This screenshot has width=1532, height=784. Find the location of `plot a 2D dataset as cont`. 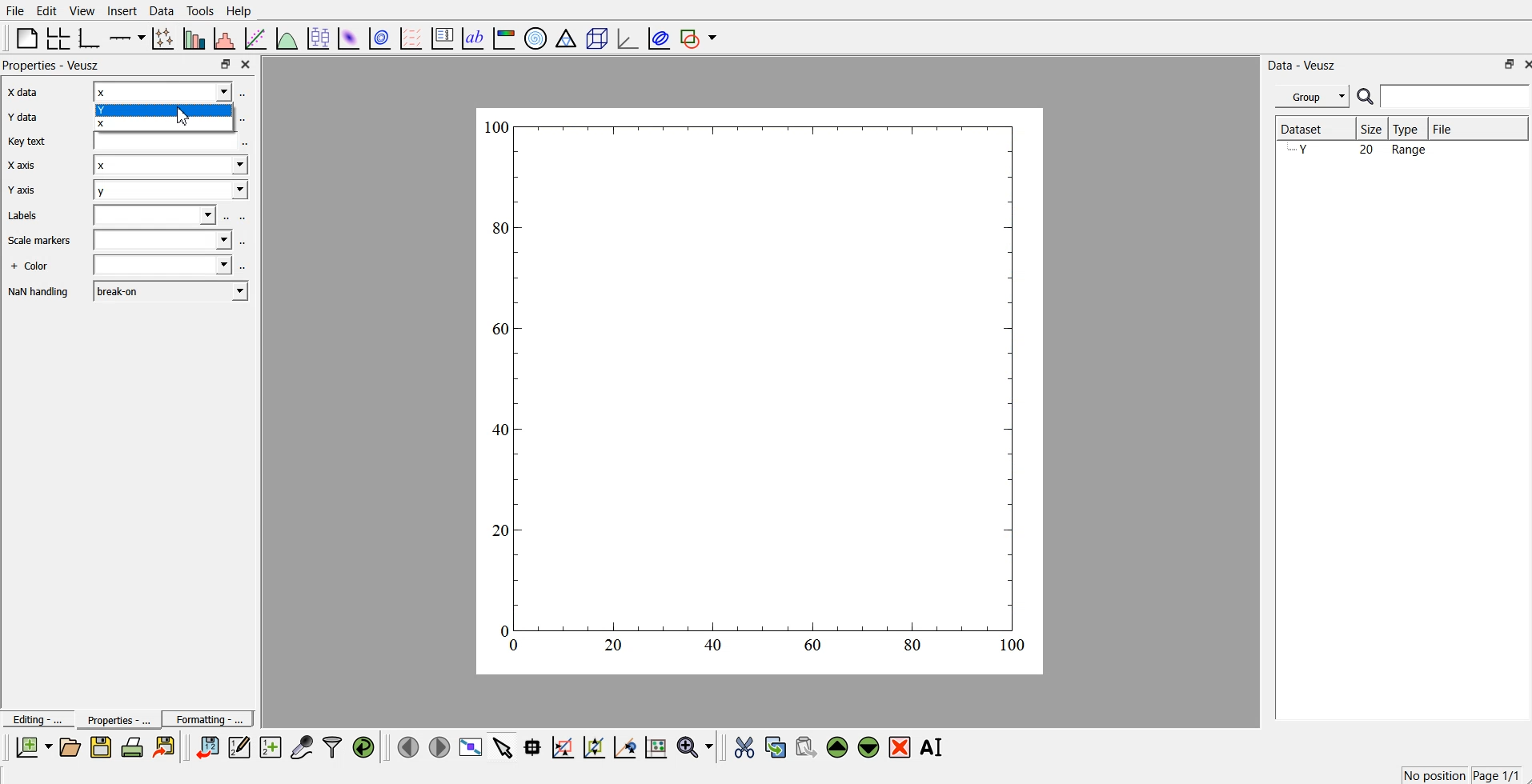

plot a 2D dataset as cont is located at coordinates (381, 38).